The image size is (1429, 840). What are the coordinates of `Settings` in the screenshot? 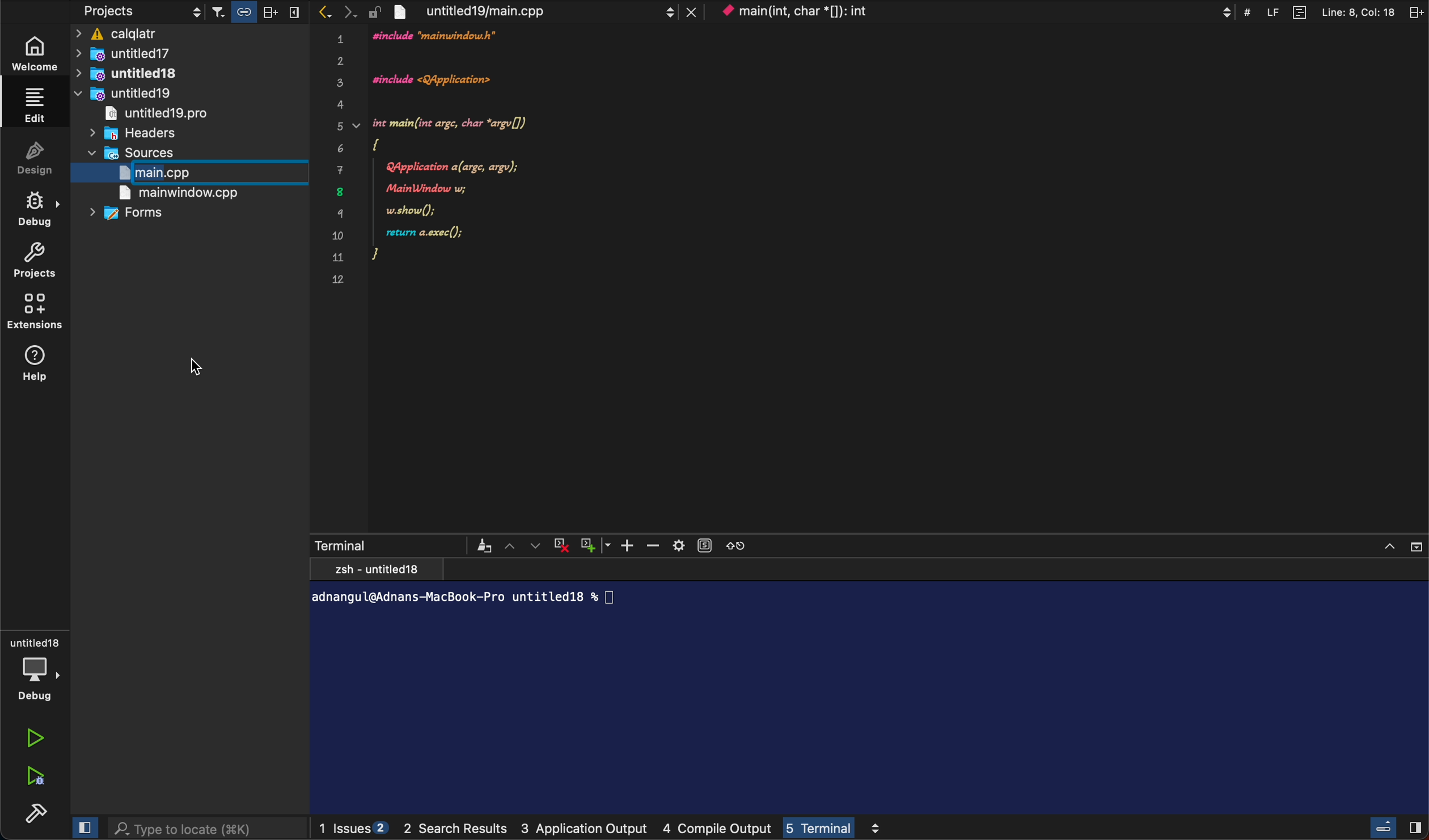 It's located at (678, 544).